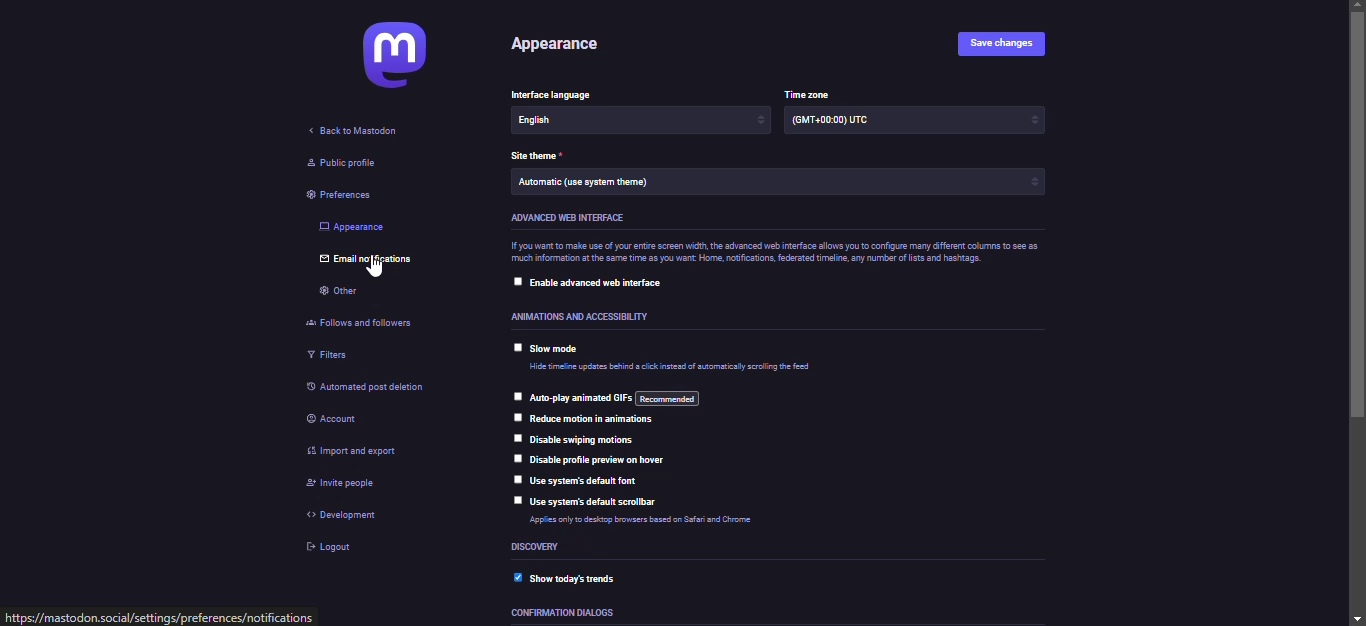 The height and width of the screenshot is (626, 1366). I want to click on time zone, so click(833, 120).